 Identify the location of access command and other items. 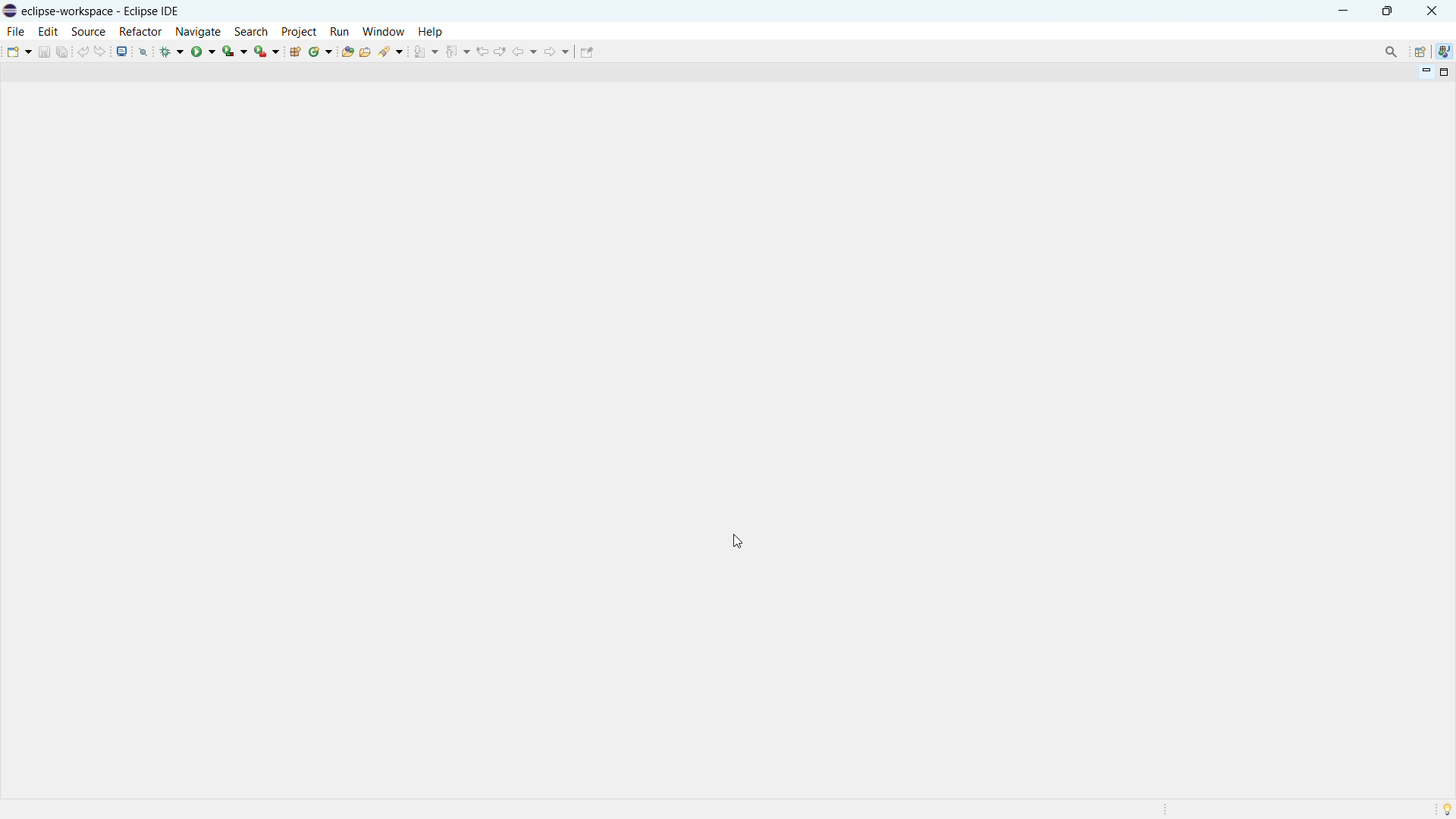
(1391, 51).